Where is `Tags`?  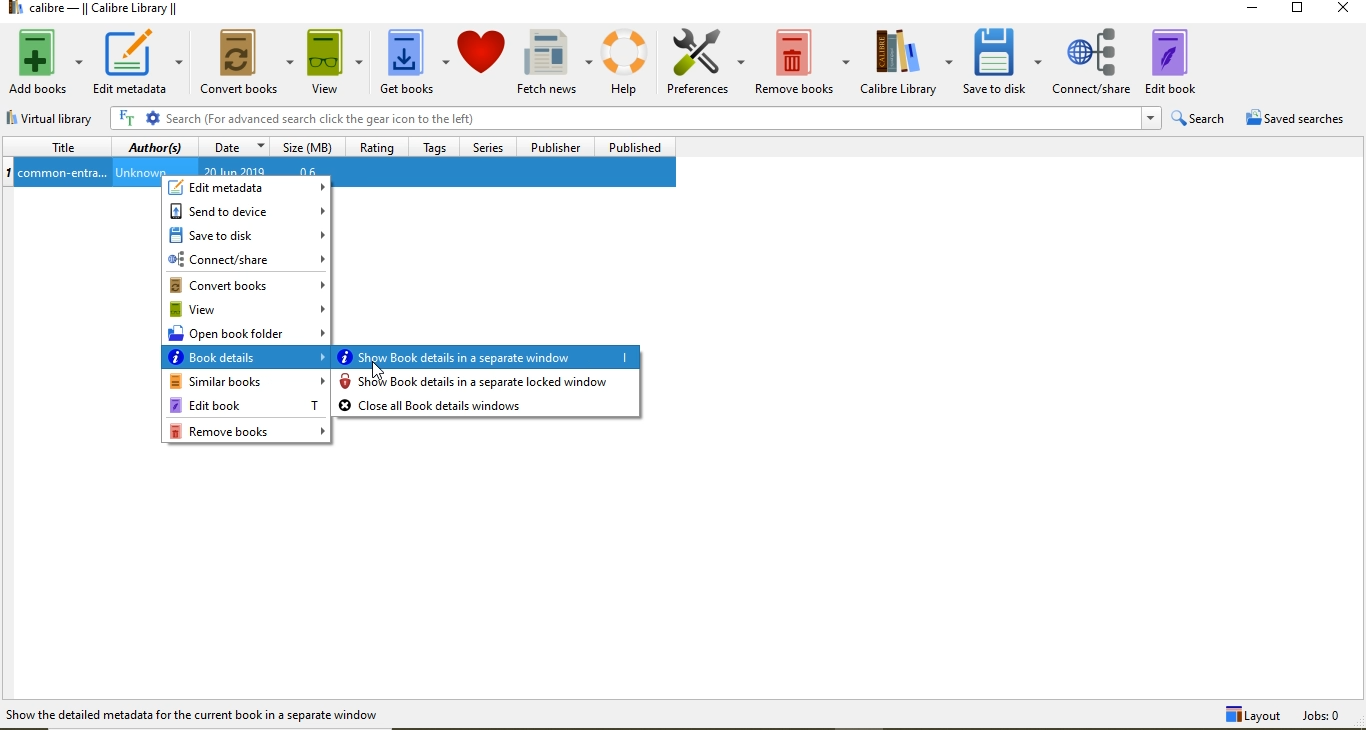 Tags is located at coordinates (438, 147).